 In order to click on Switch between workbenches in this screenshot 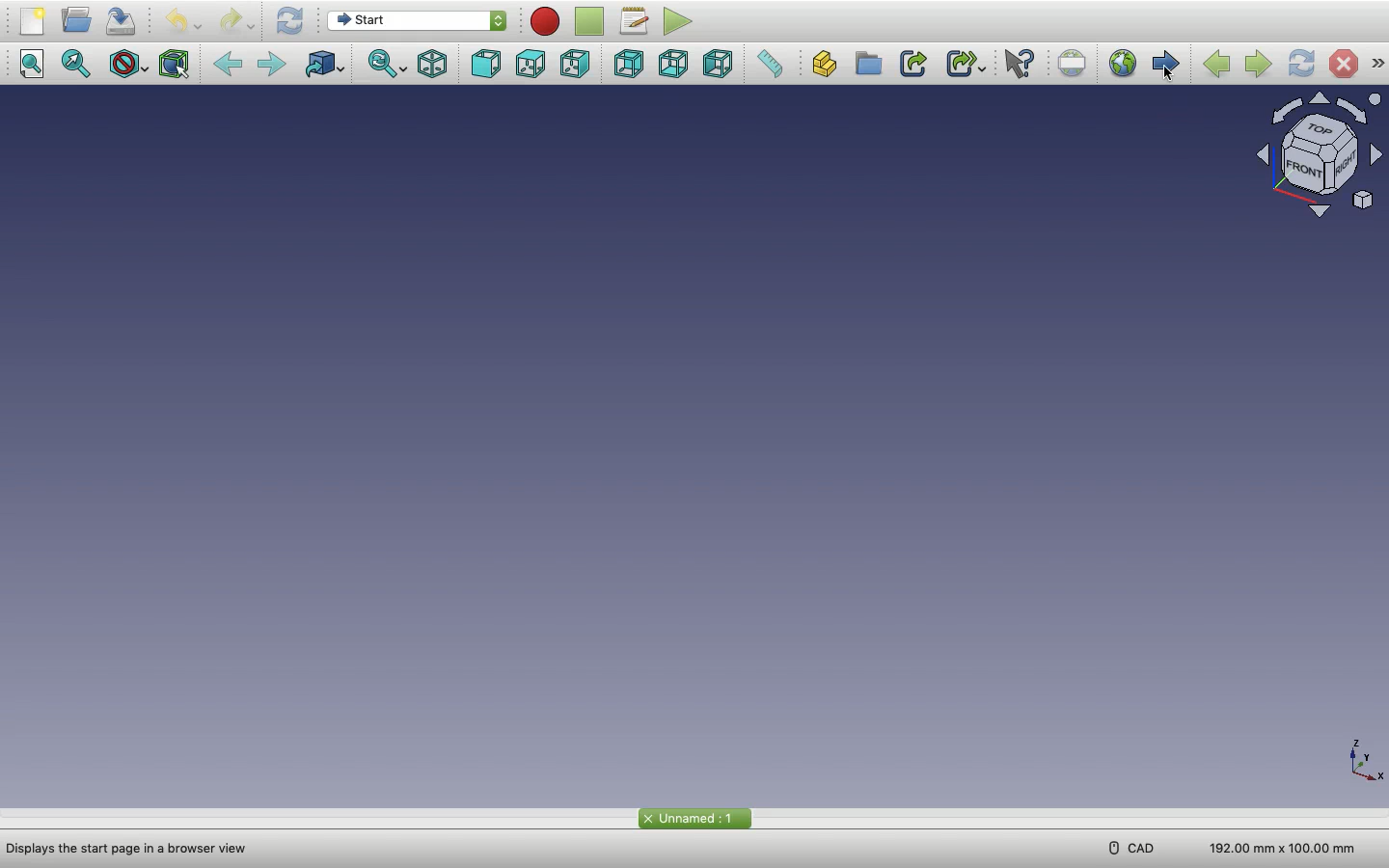, I will do `click(421, 22)`.